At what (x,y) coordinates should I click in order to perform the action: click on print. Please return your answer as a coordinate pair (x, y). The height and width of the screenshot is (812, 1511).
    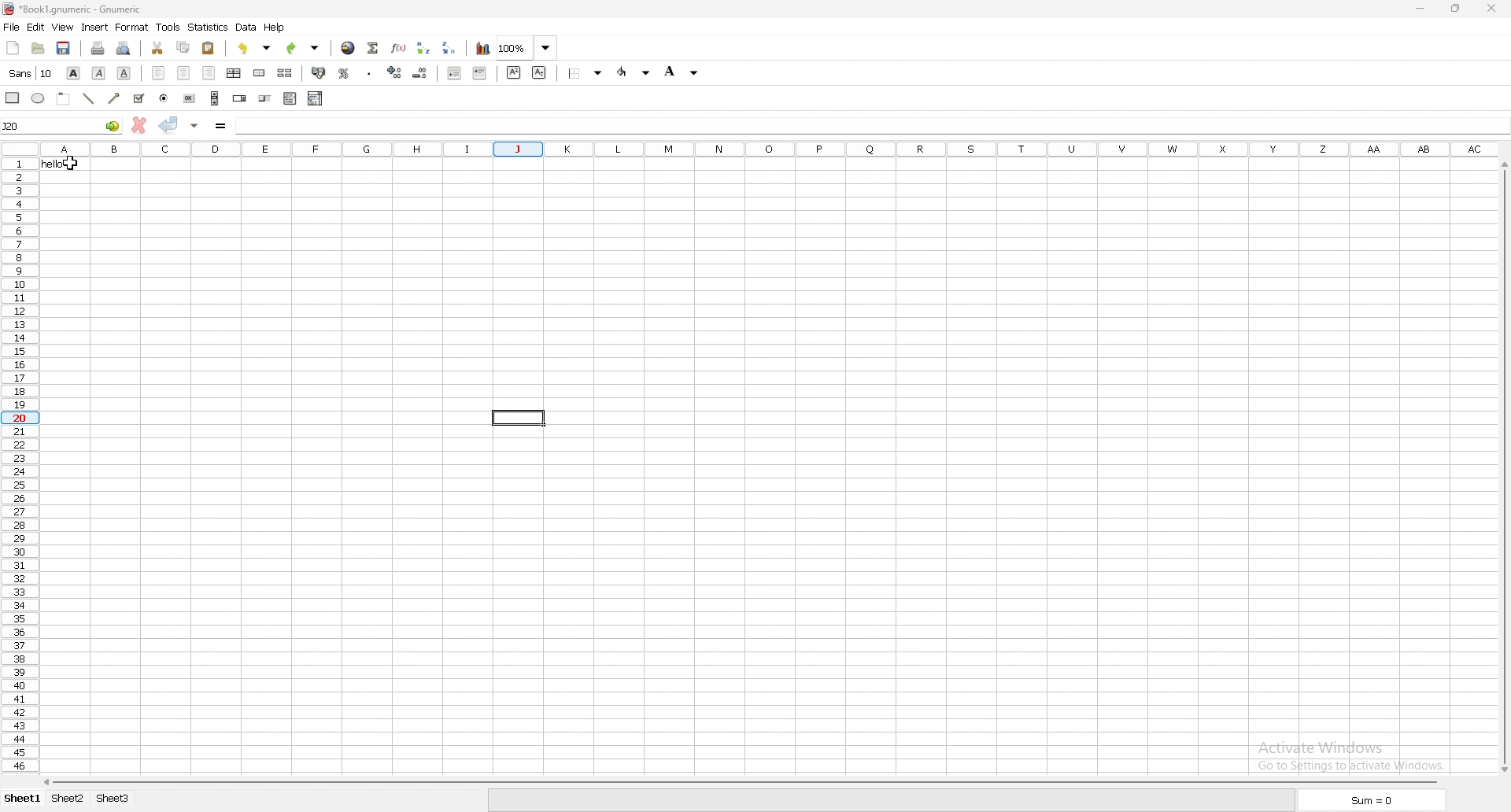
    Looking at the image, I should click on (98, 48).